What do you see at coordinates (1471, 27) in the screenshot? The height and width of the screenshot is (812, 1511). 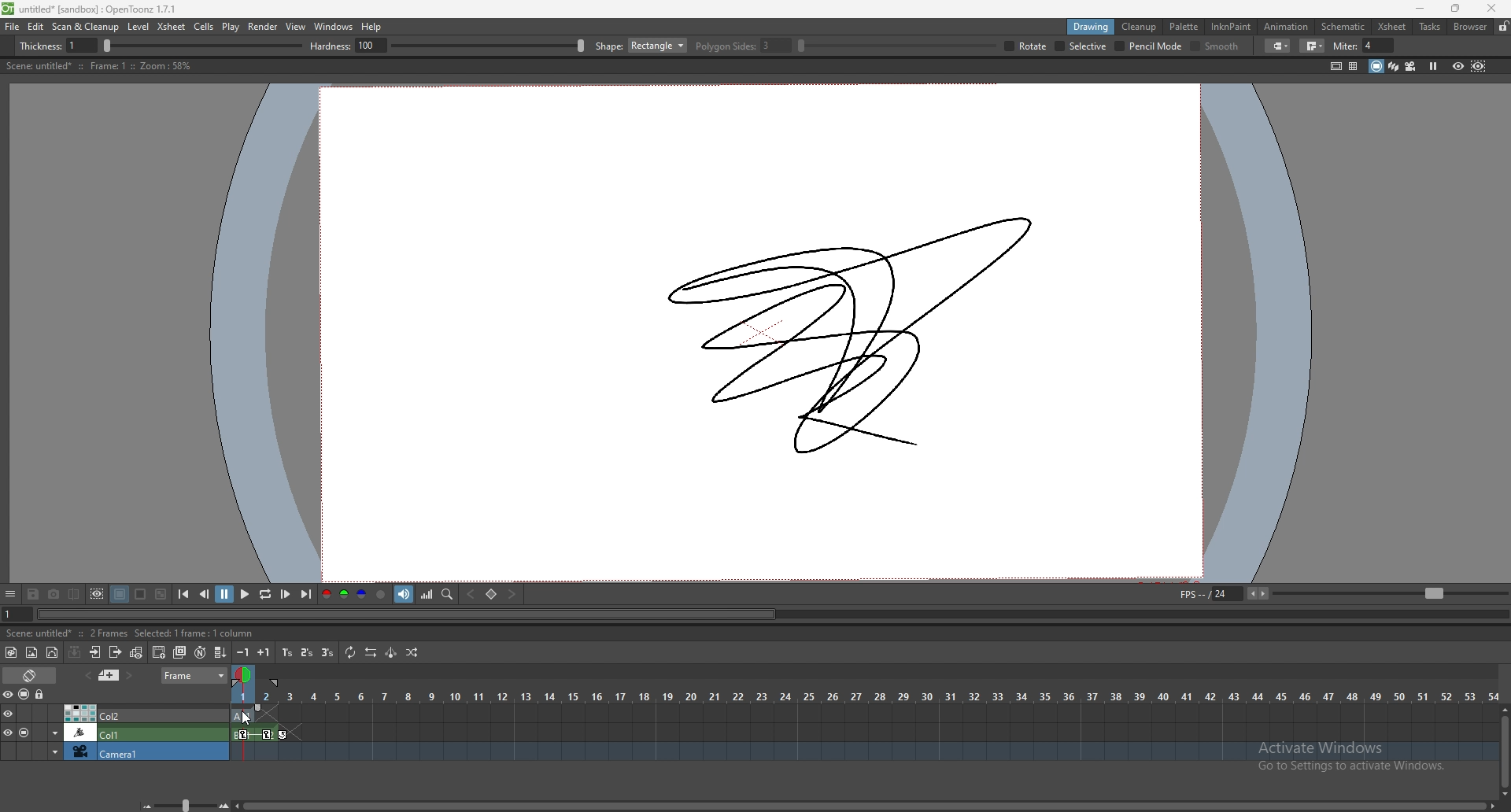 I see `browser` at bounding box center [1471, 27].